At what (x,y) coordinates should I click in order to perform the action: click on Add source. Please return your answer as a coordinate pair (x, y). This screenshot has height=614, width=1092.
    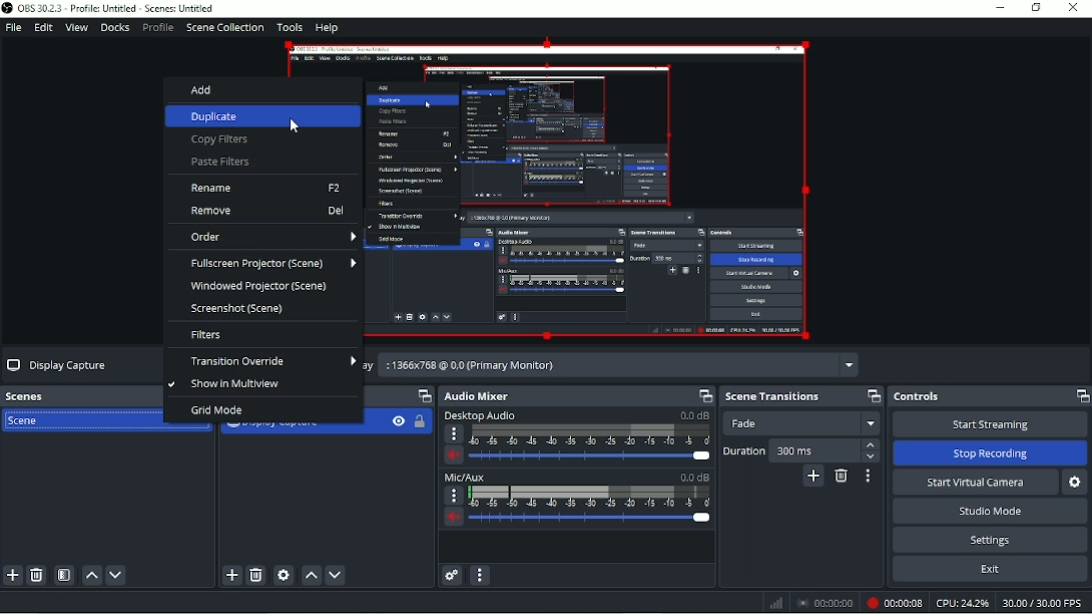
    Looking at the image, I should click on (232, 576).